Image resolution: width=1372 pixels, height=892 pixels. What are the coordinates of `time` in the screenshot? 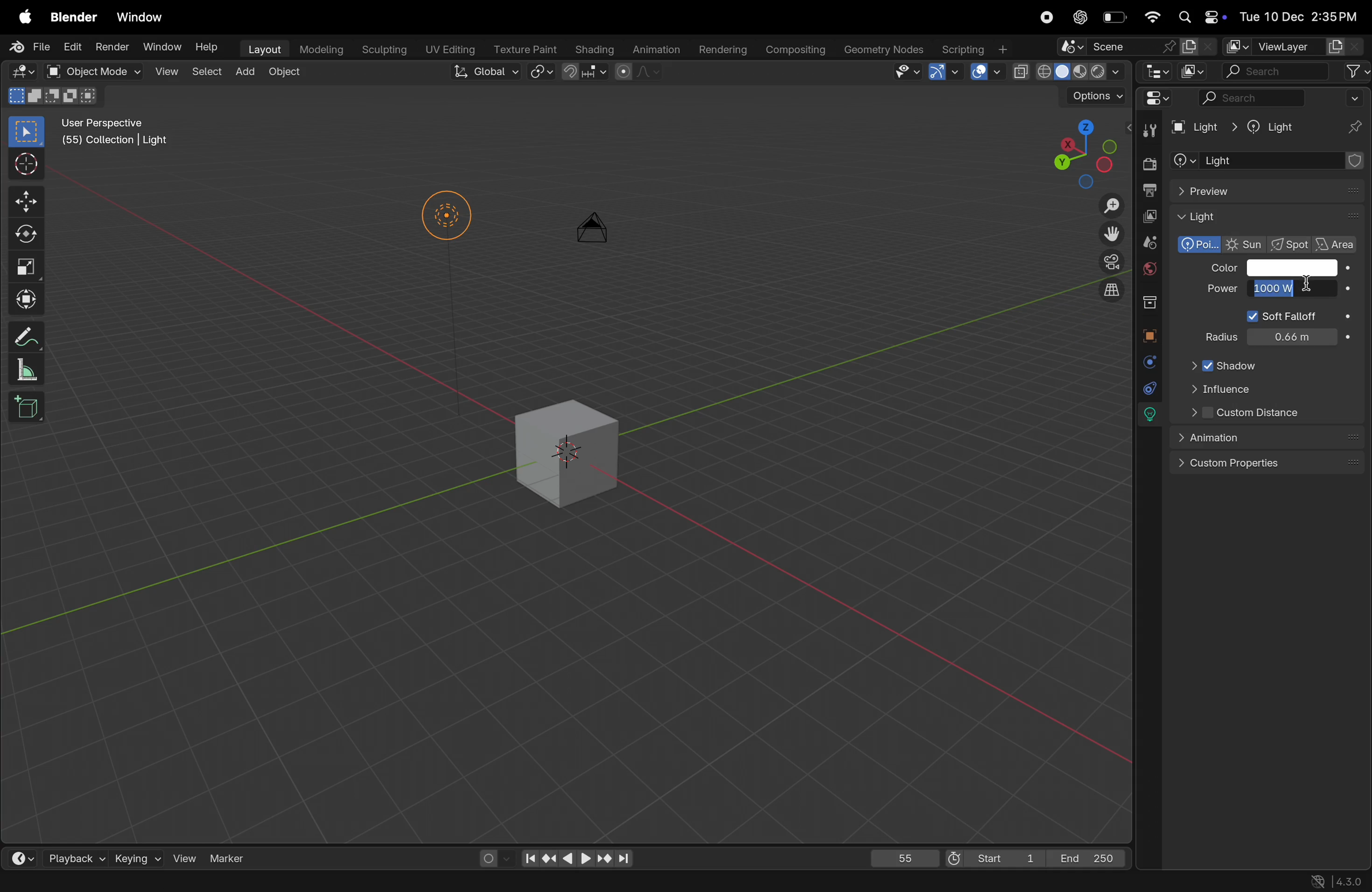 It's located at (28, 857).